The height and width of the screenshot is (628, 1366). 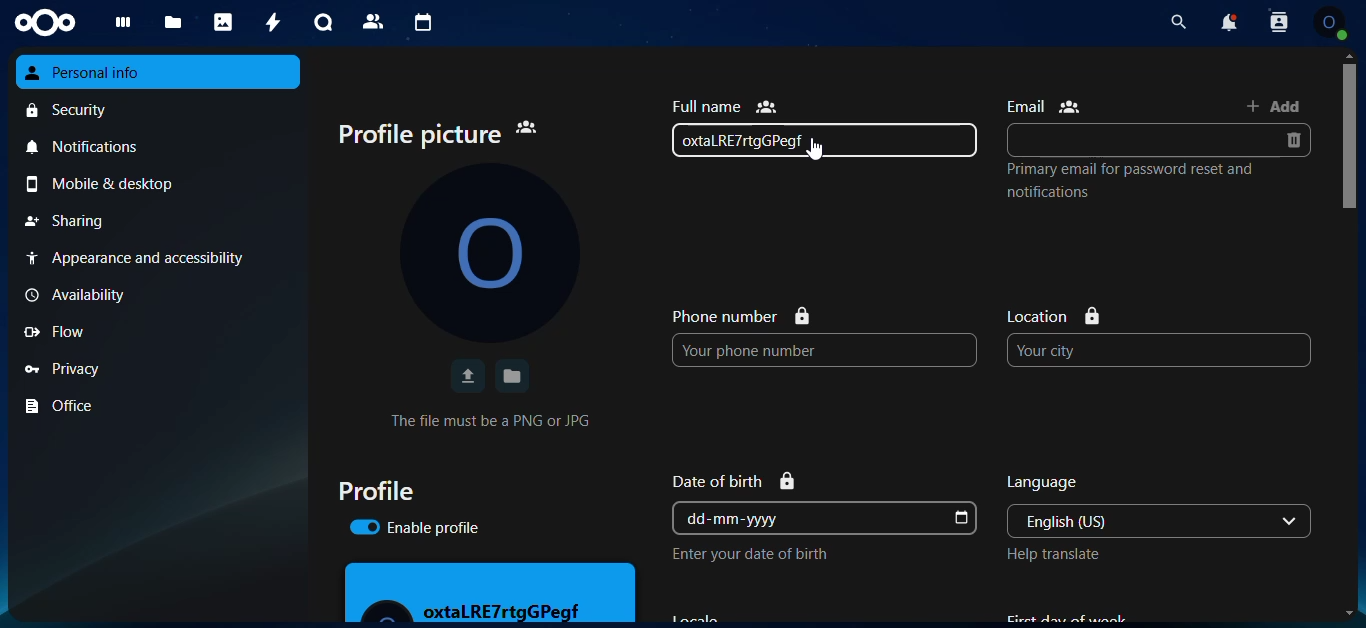 I want to click on contact, so click(x=1278, y=22).